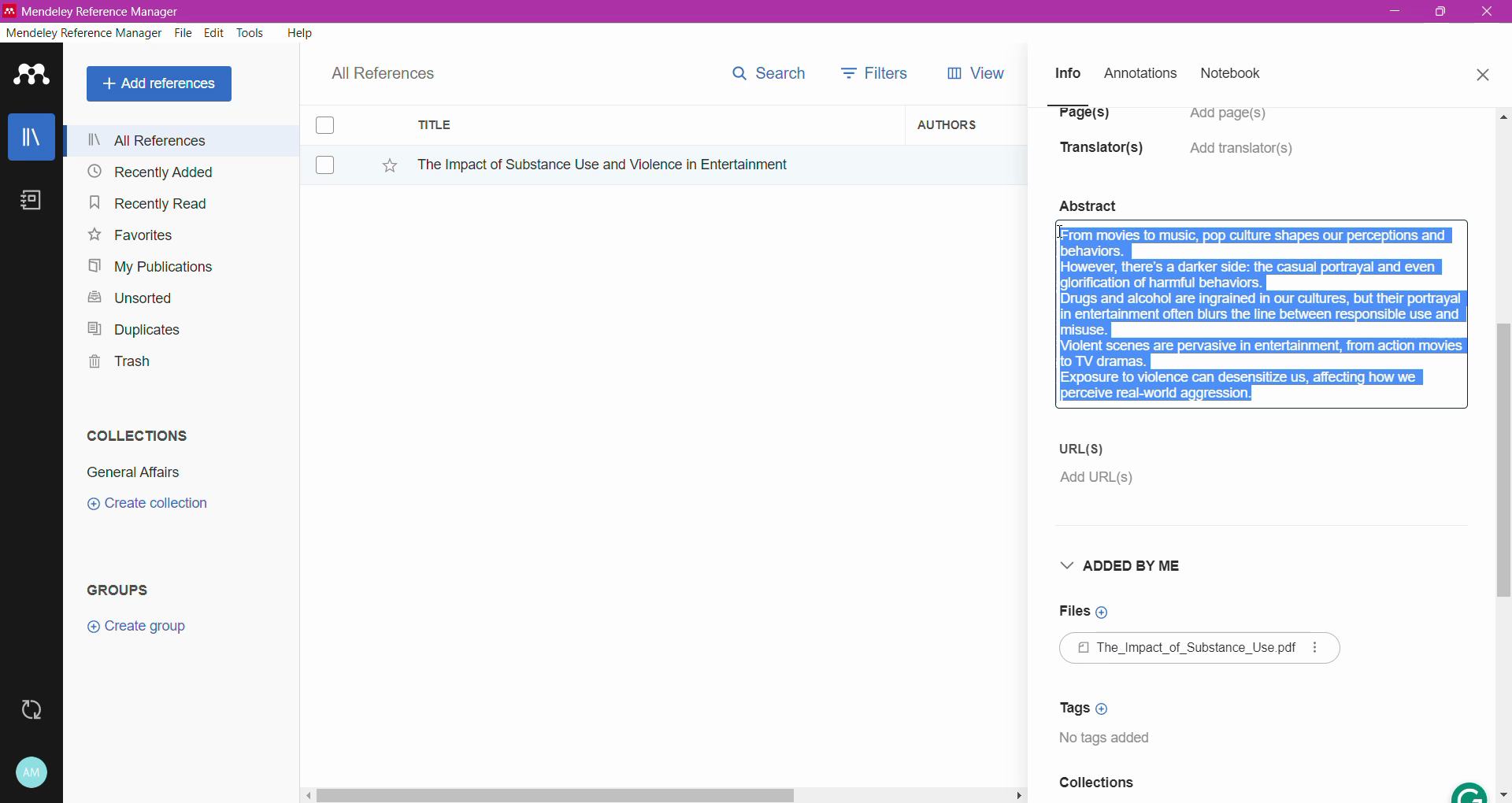 This screenshot has height=803, width=1512. Describe the element at coordinates (1139, 74) in the screenshot. I see `Annotations` at that location.